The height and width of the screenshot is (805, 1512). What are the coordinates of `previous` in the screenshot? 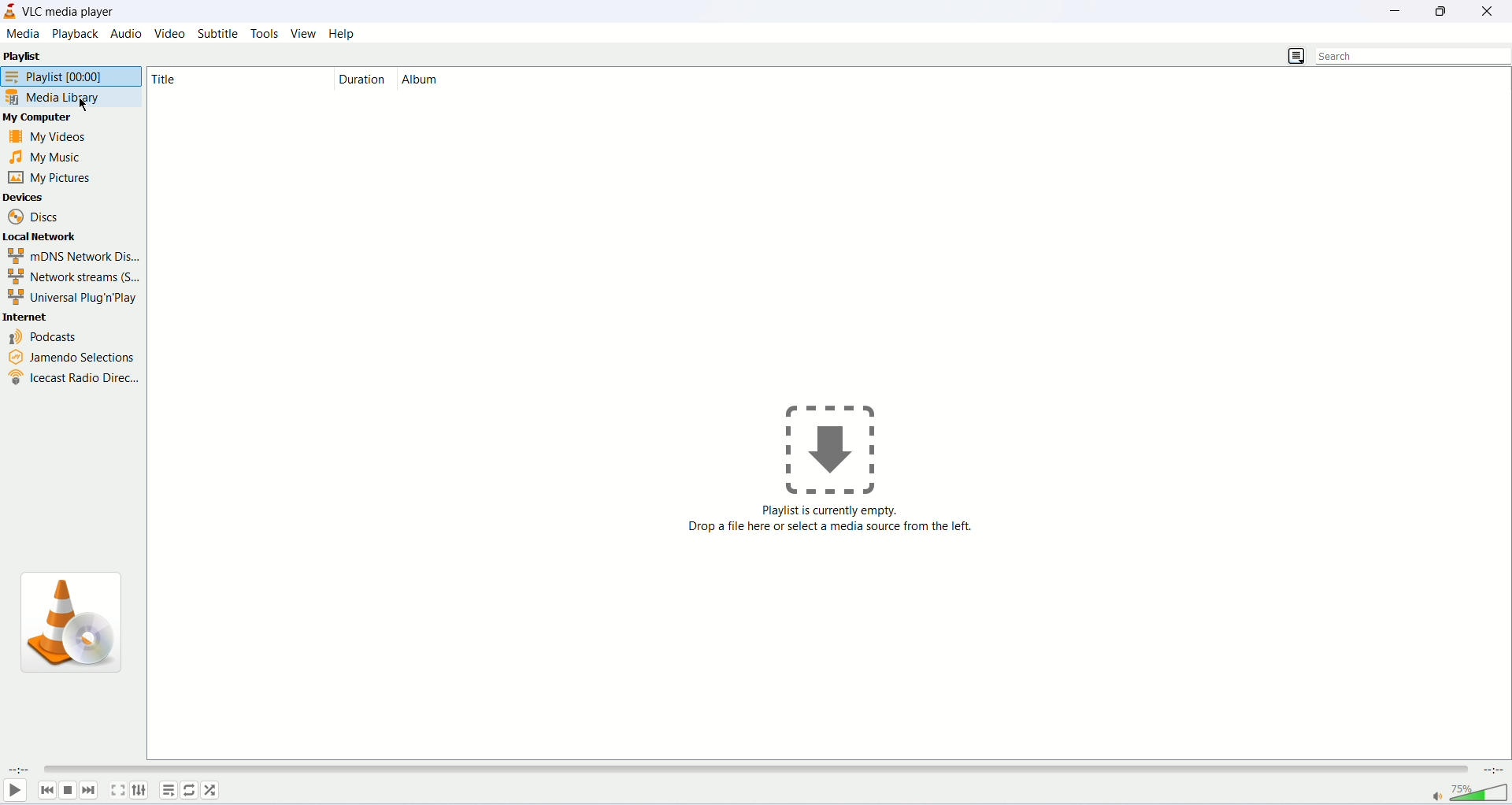 It's located at (45, 790).